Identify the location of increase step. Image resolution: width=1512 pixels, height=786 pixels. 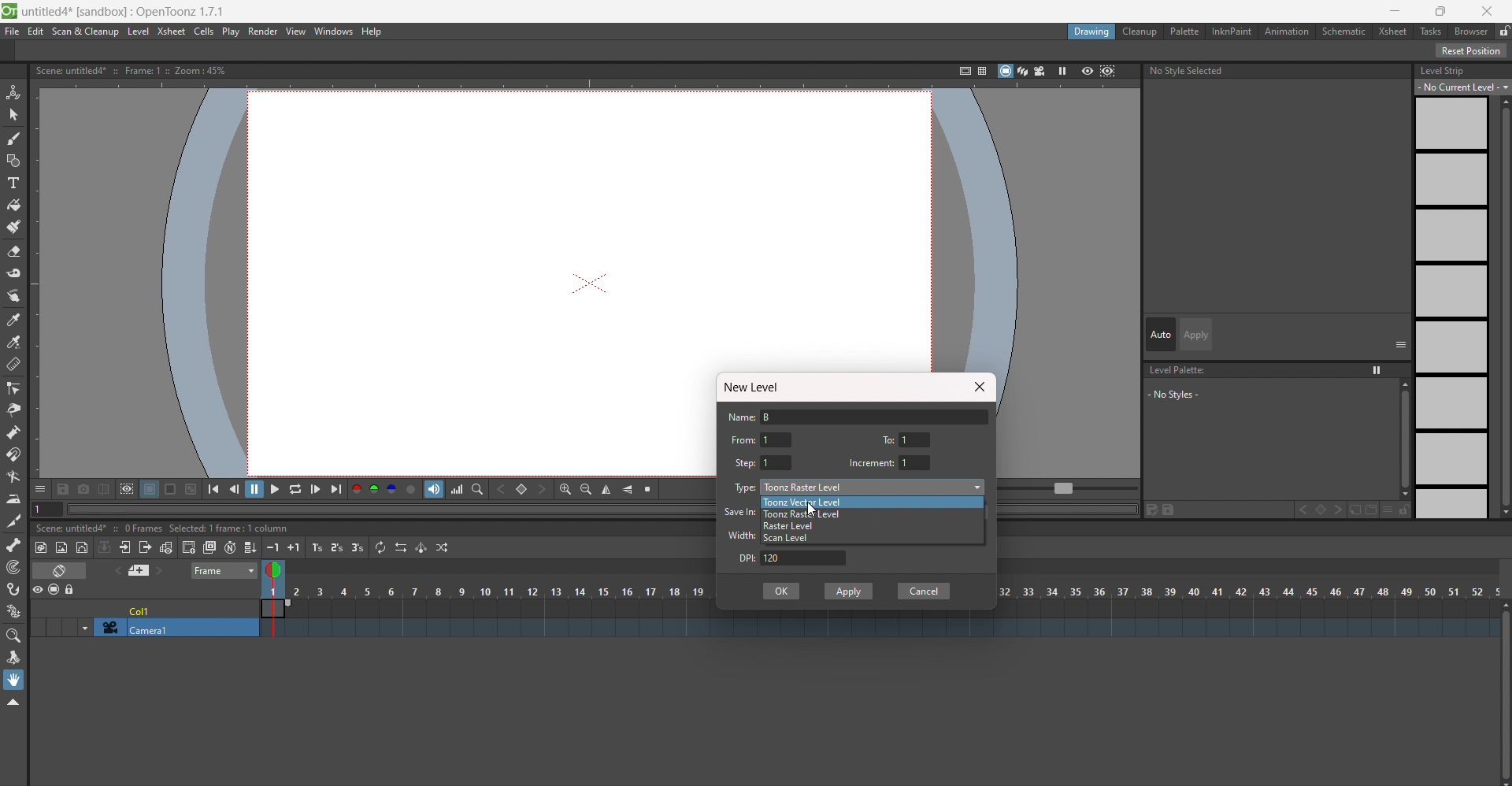
(315, 547).